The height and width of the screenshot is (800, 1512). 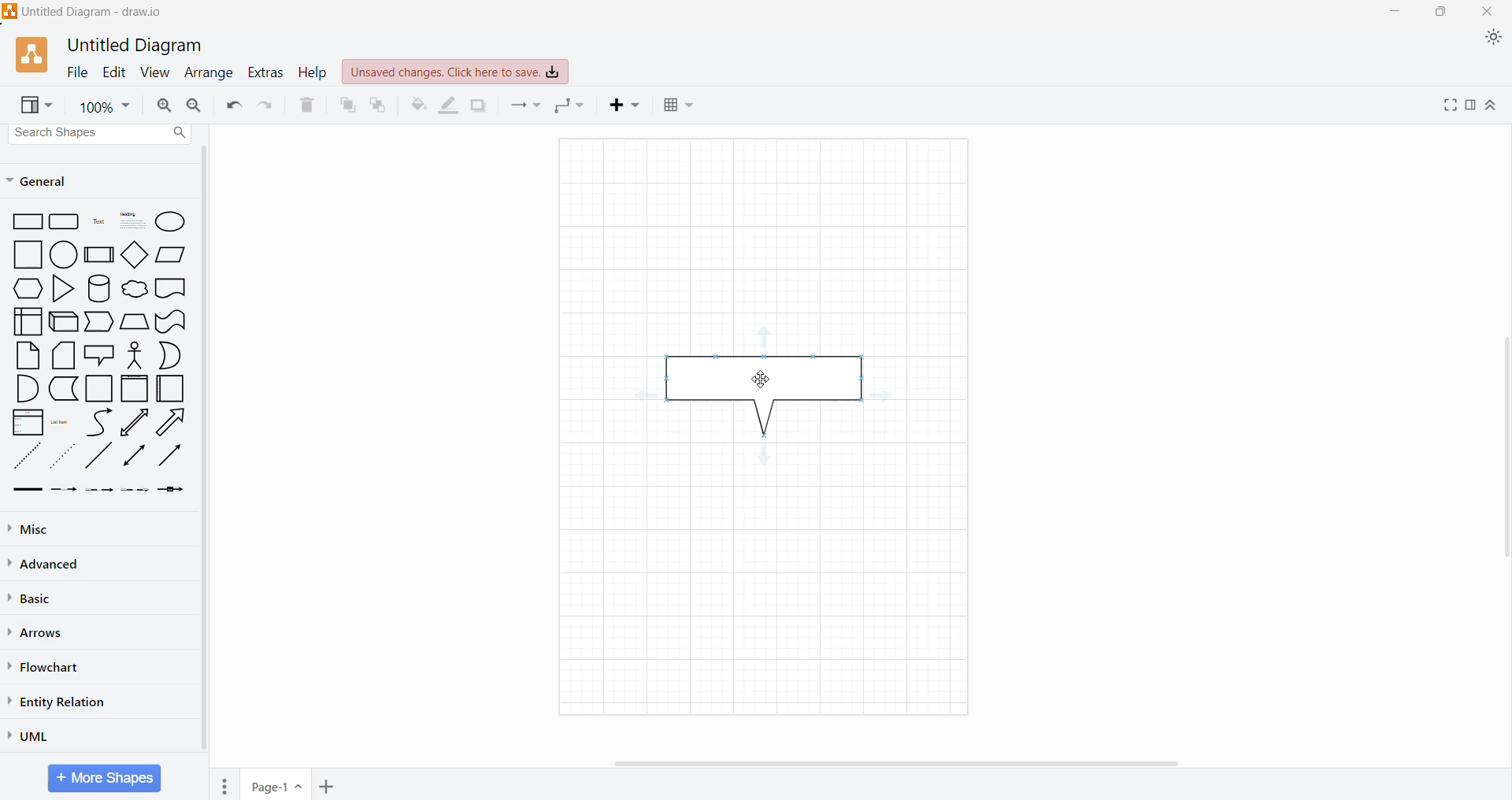 I want to click on List Box, so click(x=28, y=422).